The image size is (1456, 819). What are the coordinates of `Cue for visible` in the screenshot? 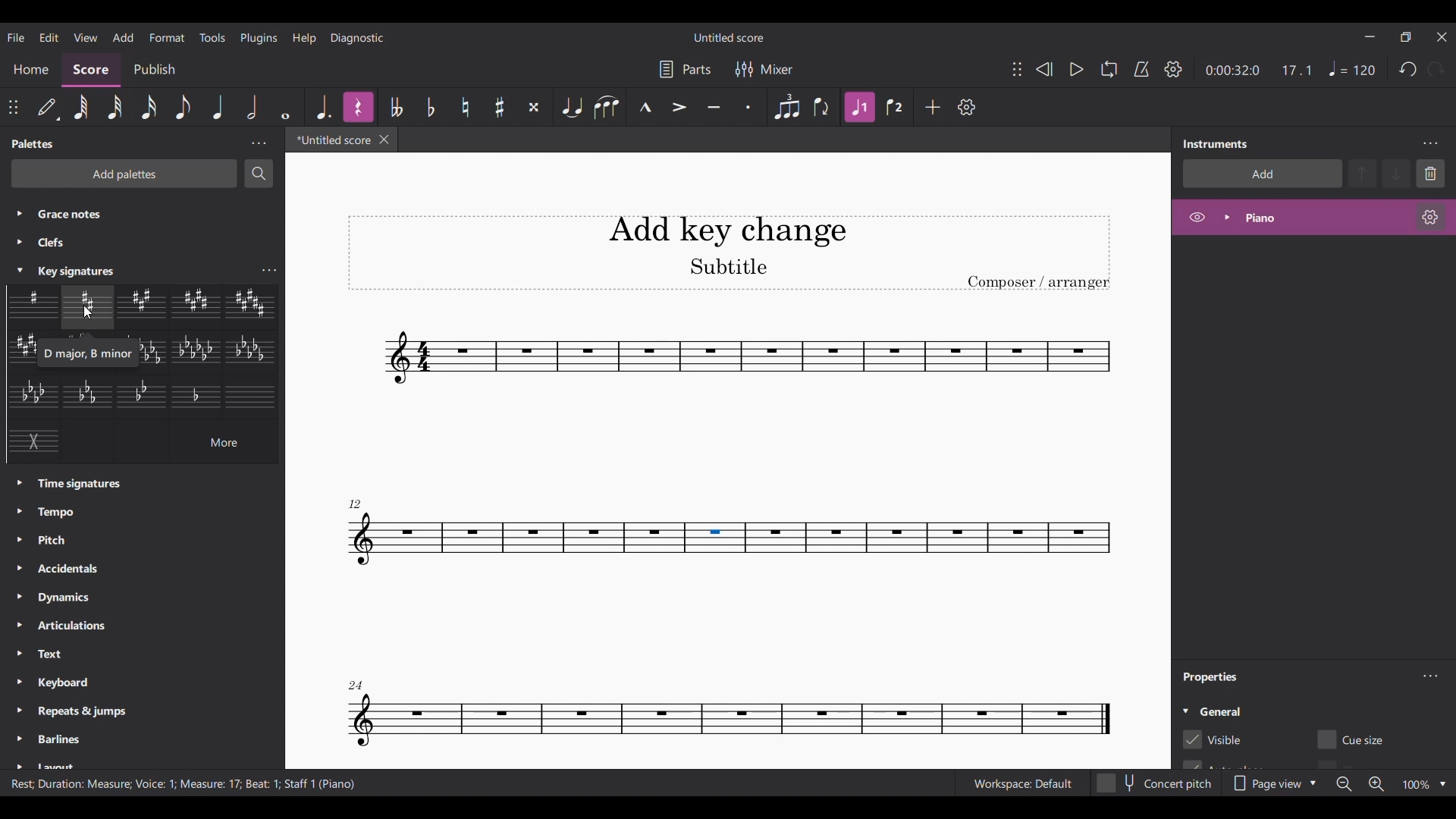 It's located at (1213, 740).